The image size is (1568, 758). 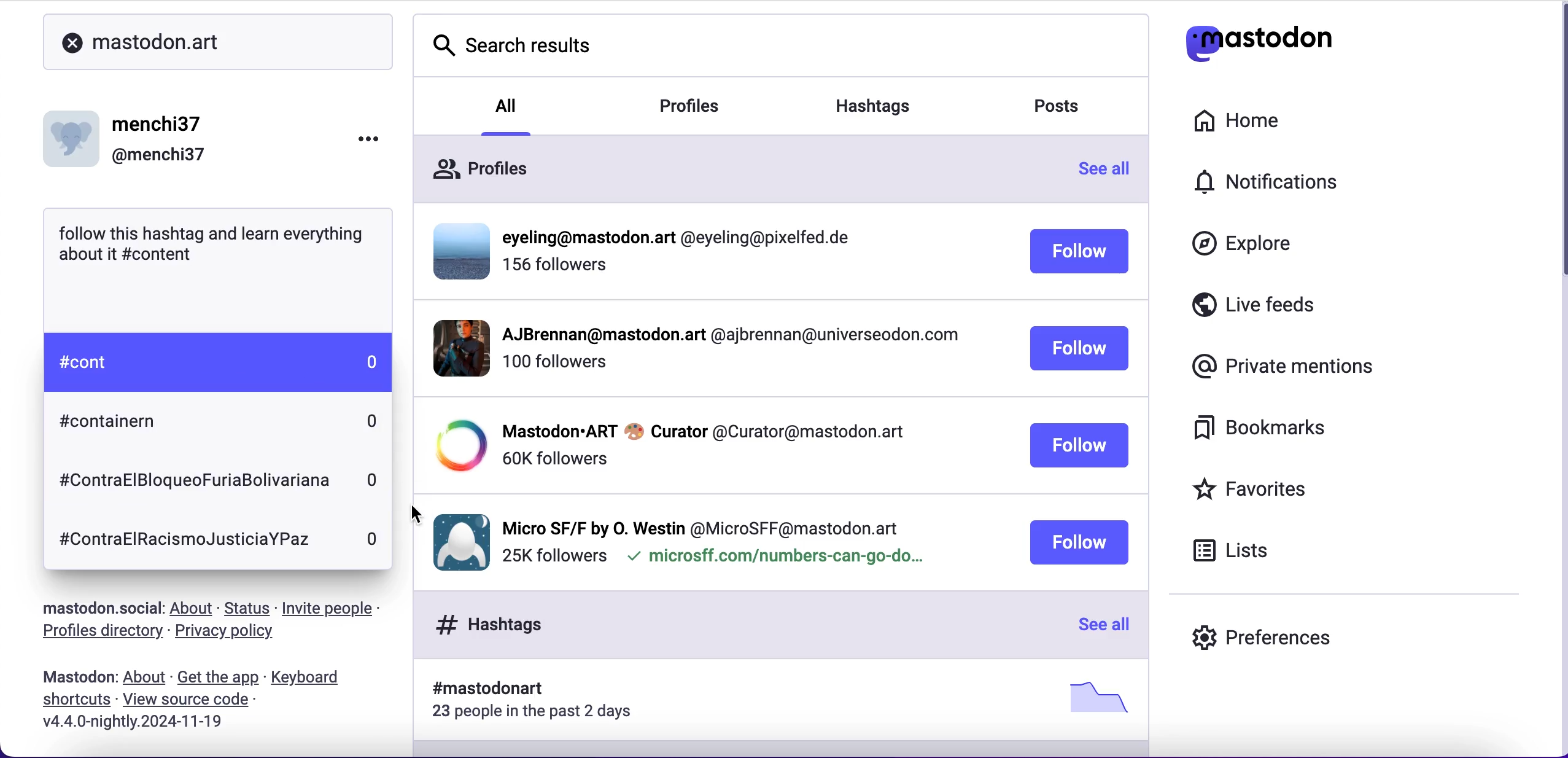 I want to click on 0, so click(x=375, y=541).